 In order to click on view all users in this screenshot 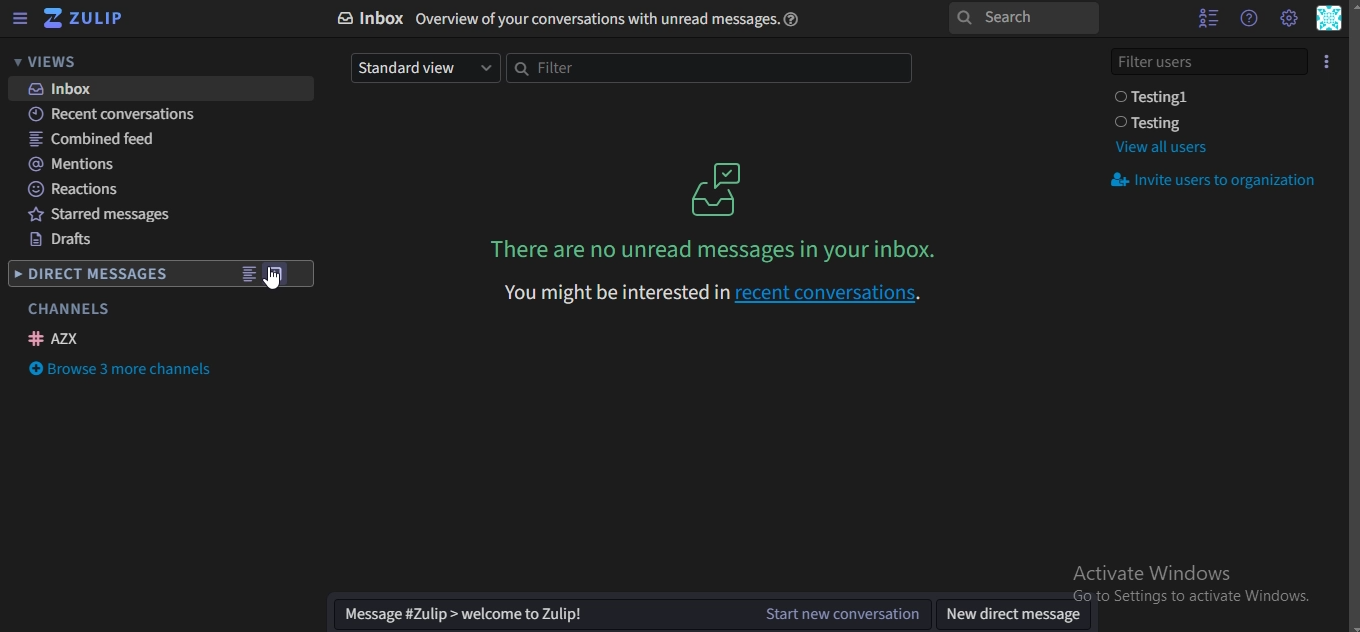, I will do `click(1160, 147)`.